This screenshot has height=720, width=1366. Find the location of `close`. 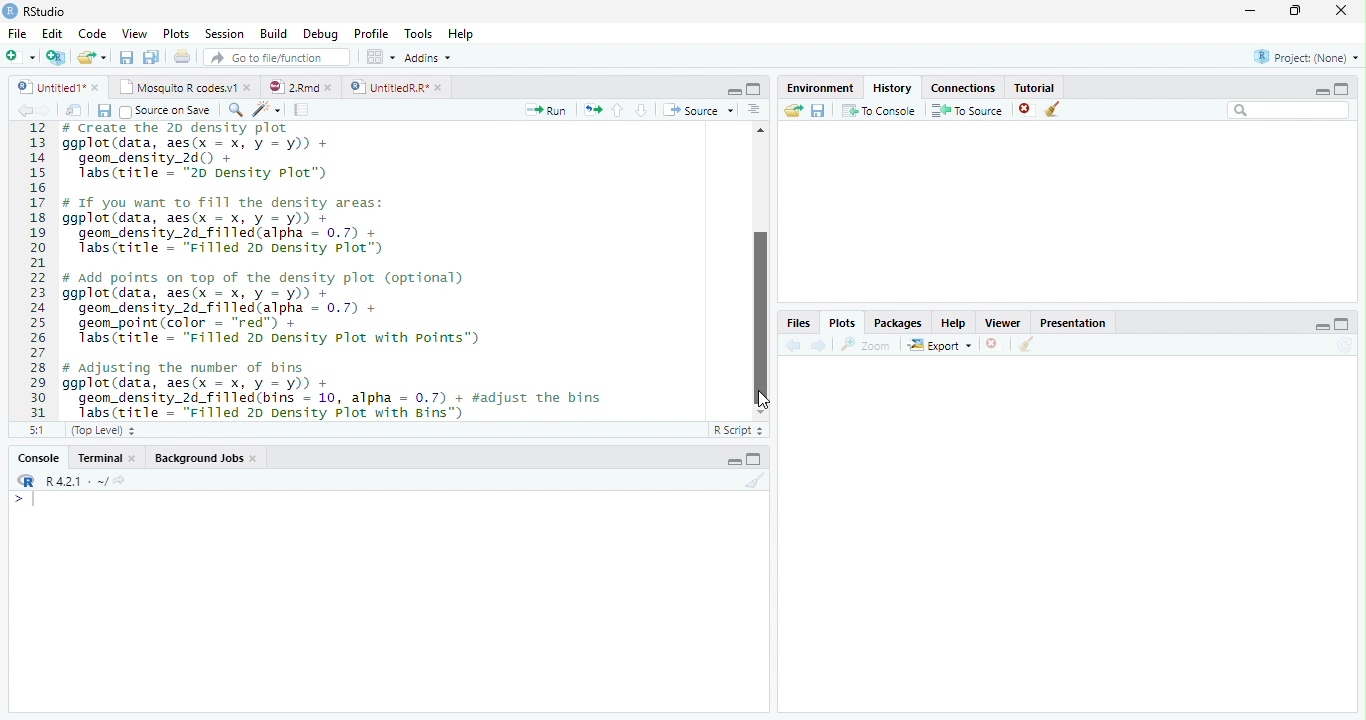

close is located at coordinates (1342, 10).